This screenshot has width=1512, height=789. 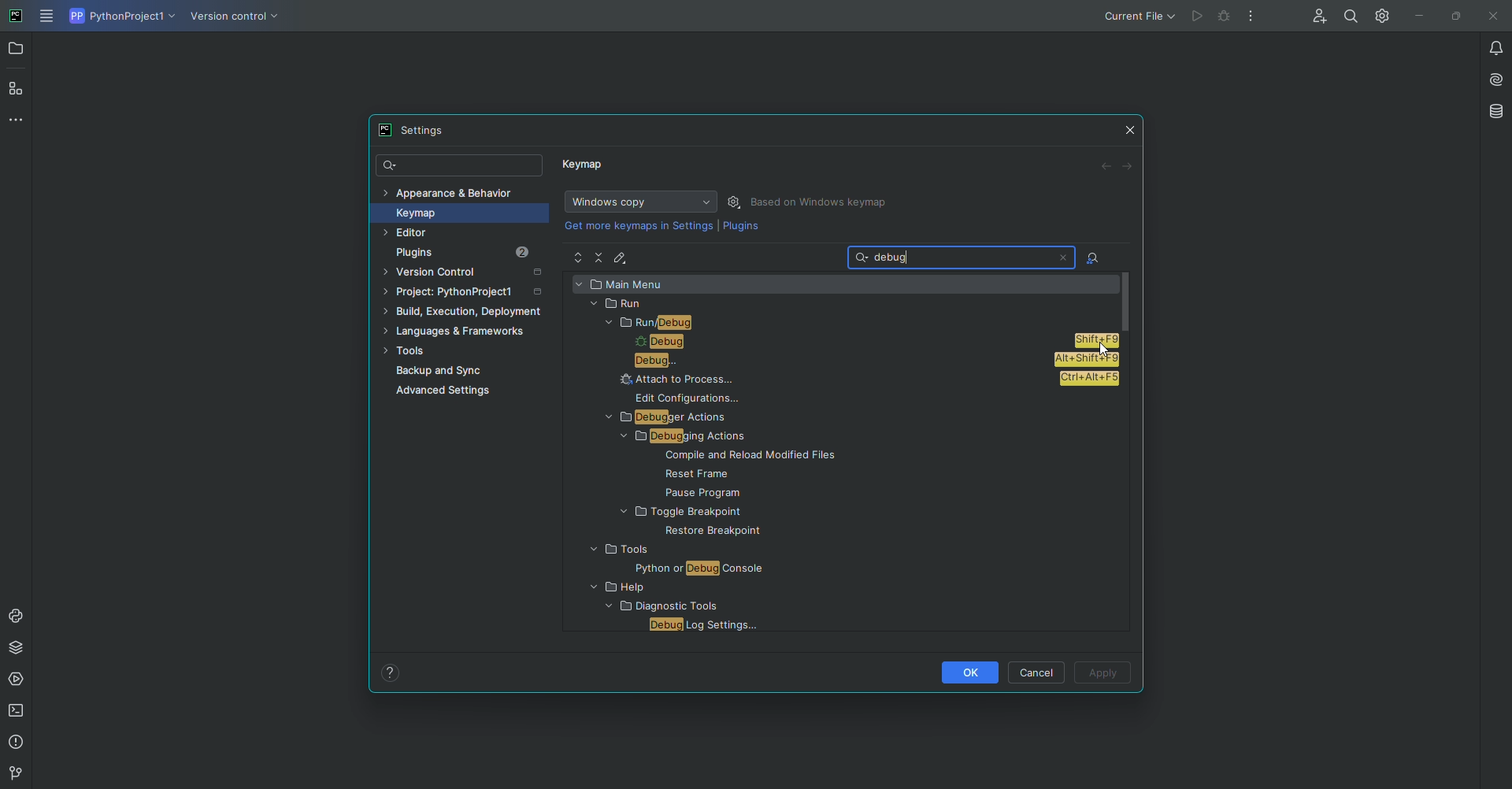 What do you see at coordinates (736, 202) in the screenshot?
I see `Settings` at bounding box center [736, 202].